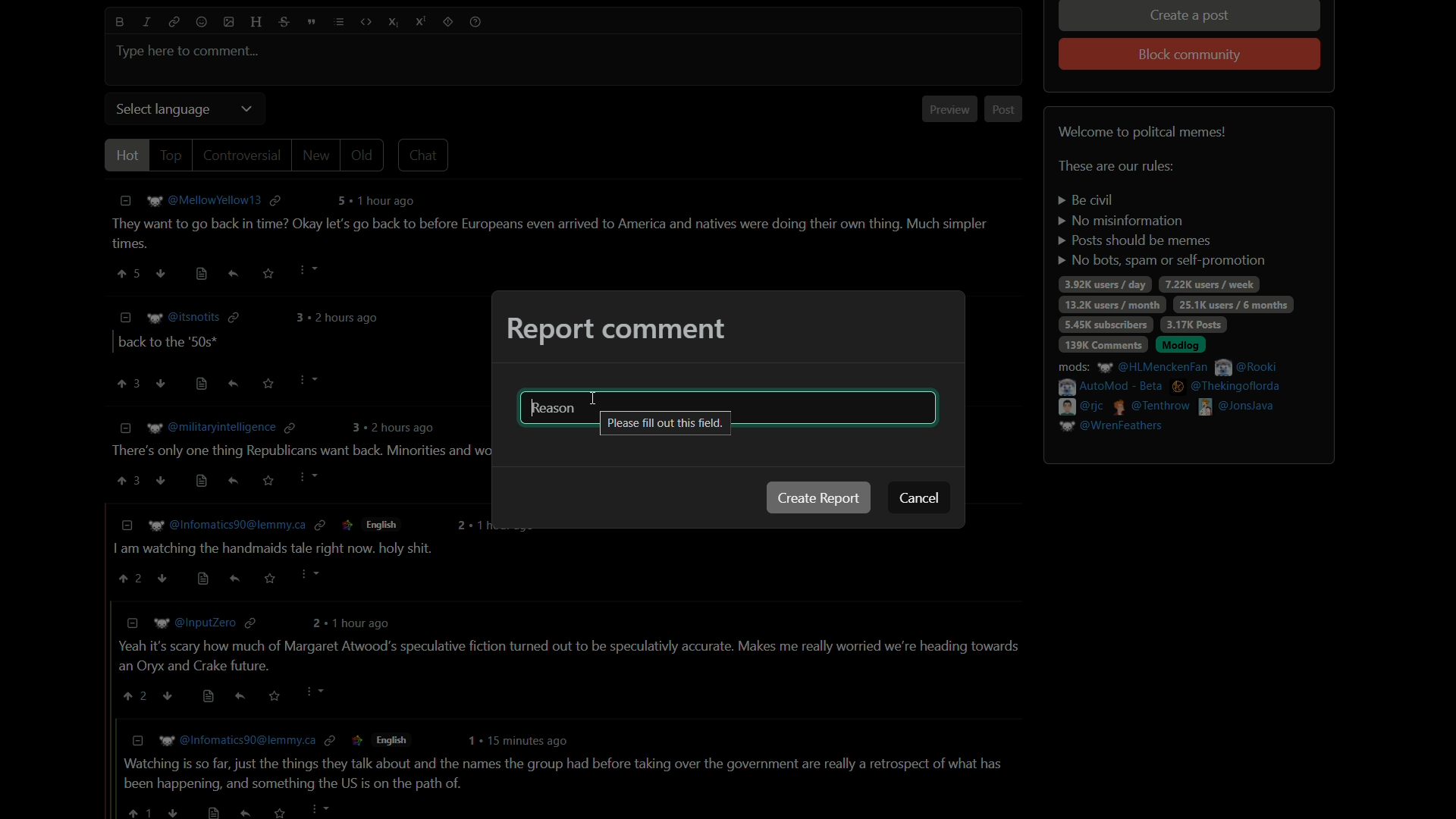 This screenshot has height=819, width=1456. What do you see at coordinates (1103, 344) in the screenshot?
I see `139k comments` at bounding box center [1103, 344].